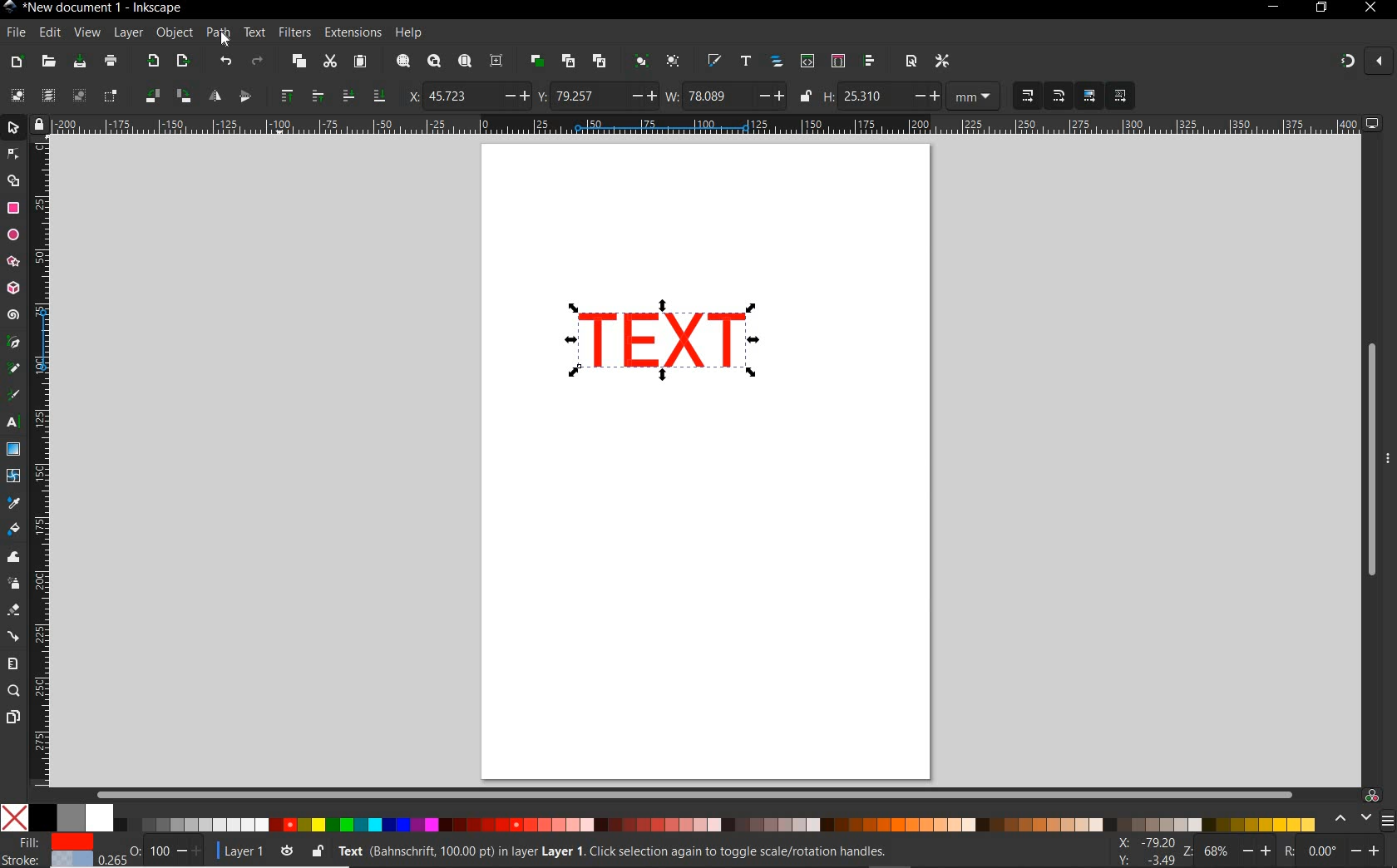 The width and height of the screenshot is (1397, 868). I want to click on VIEW, so click(86, 33).